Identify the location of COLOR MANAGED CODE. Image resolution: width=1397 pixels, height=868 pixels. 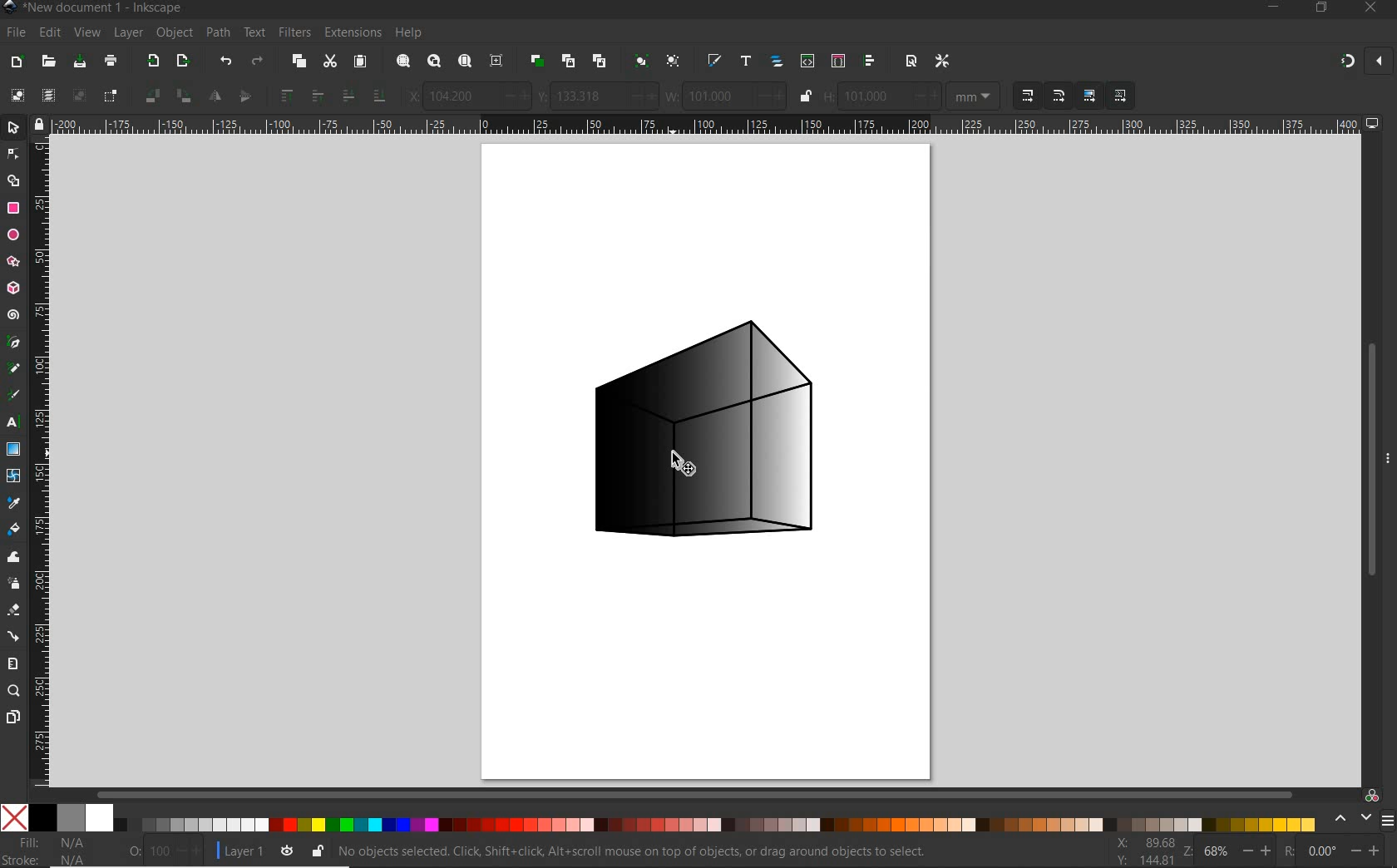
(1372, 794).